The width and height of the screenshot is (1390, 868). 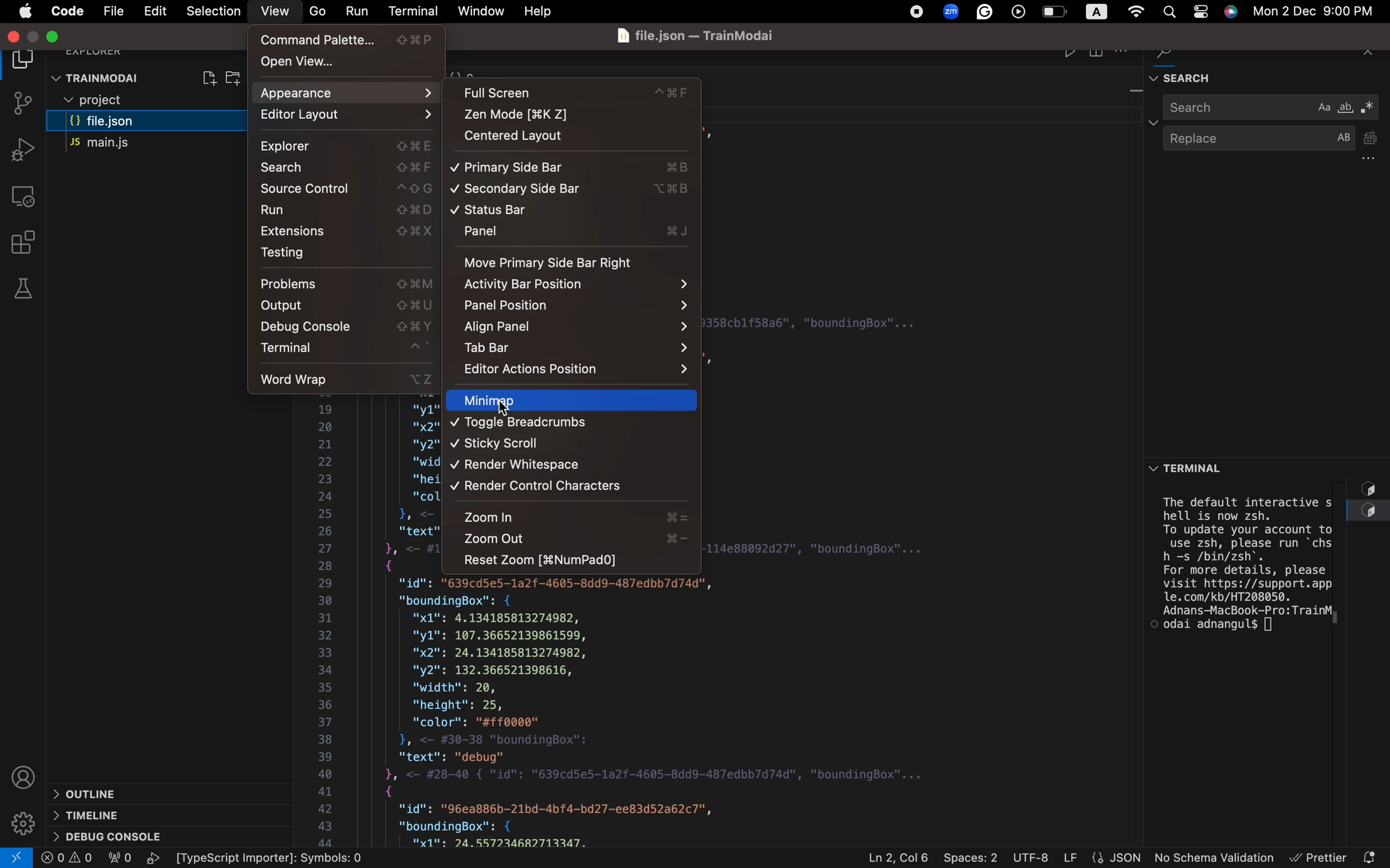 I want to click on zoom in, so click(x=576, y=537).